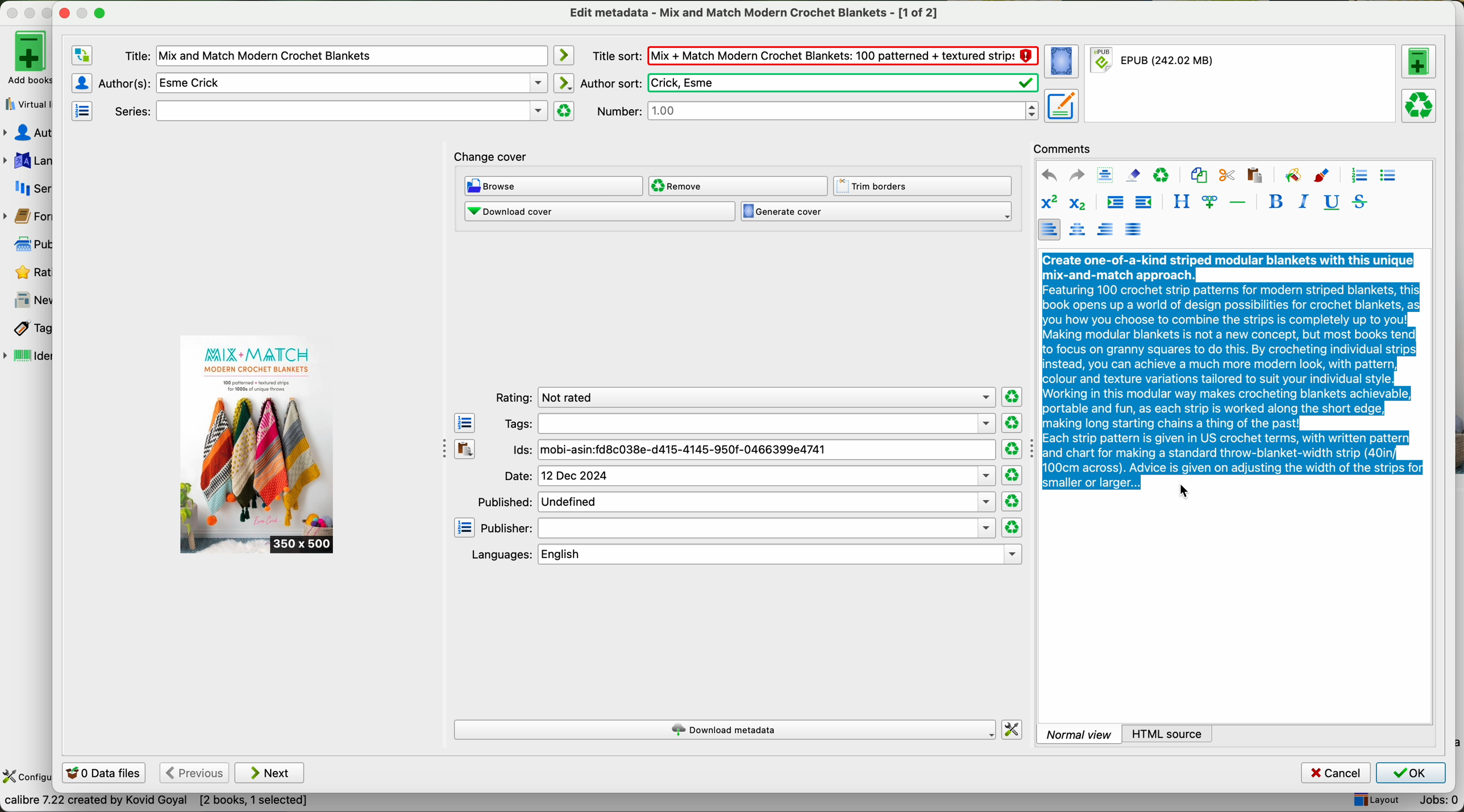 The width and height of the screenshot is (1464, 812). What do you see at coordinates (817, 110) in the screenshot?
I see `number` at bounding box center [817, 110].